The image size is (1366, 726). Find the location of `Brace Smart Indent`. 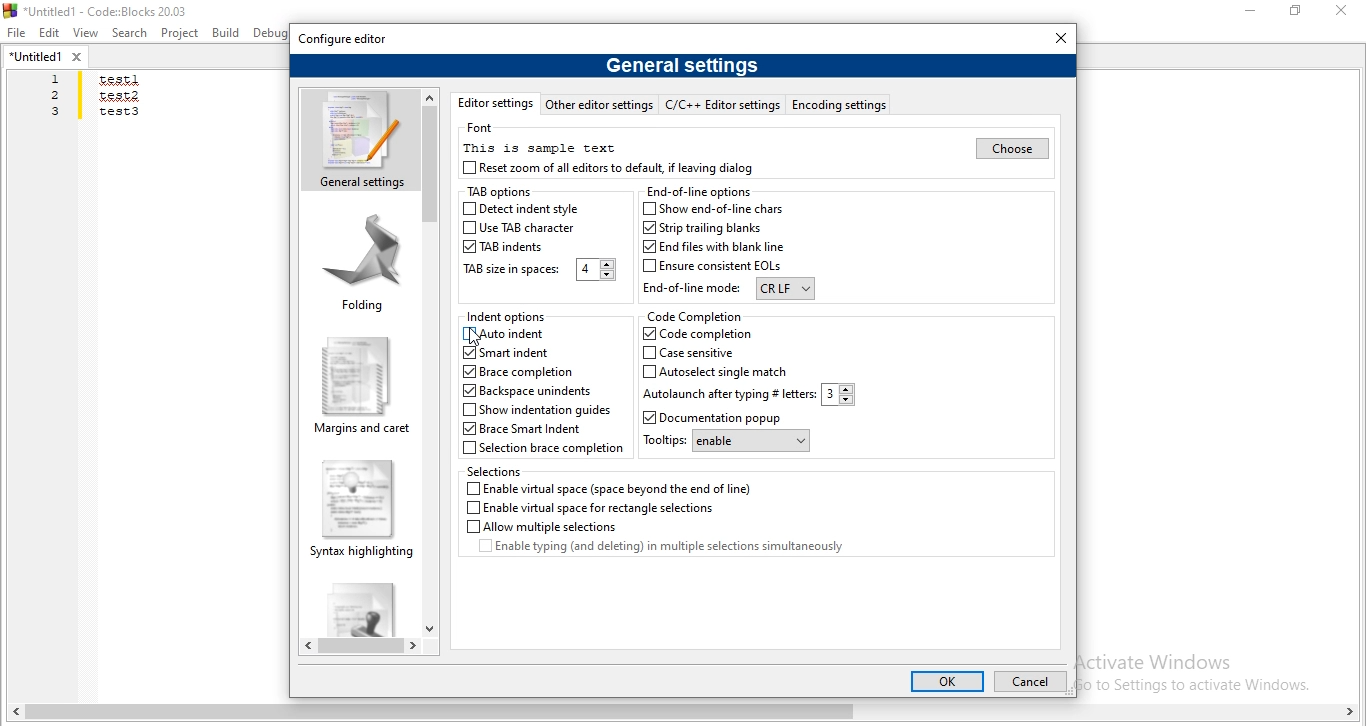

Brace Smart Indent is located at coordinates (527, 430).